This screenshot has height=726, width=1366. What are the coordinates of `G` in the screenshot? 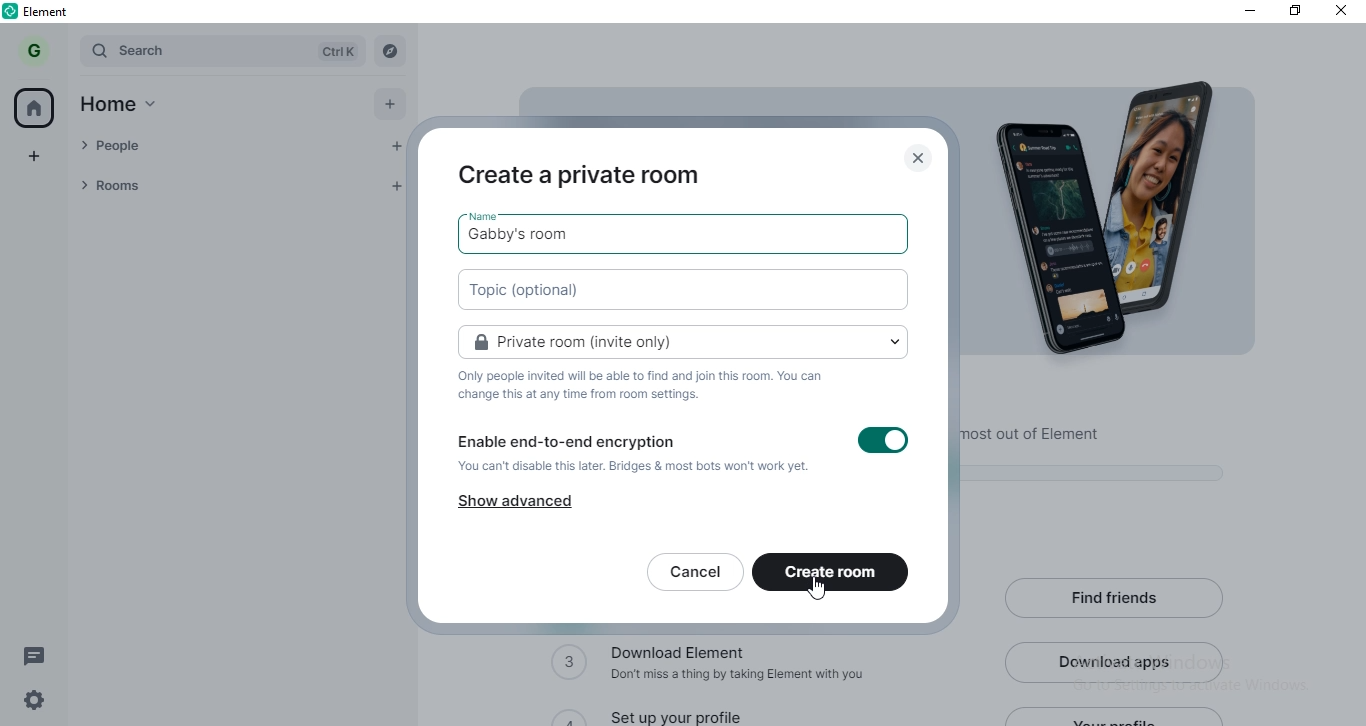 It's located at (37, 50).